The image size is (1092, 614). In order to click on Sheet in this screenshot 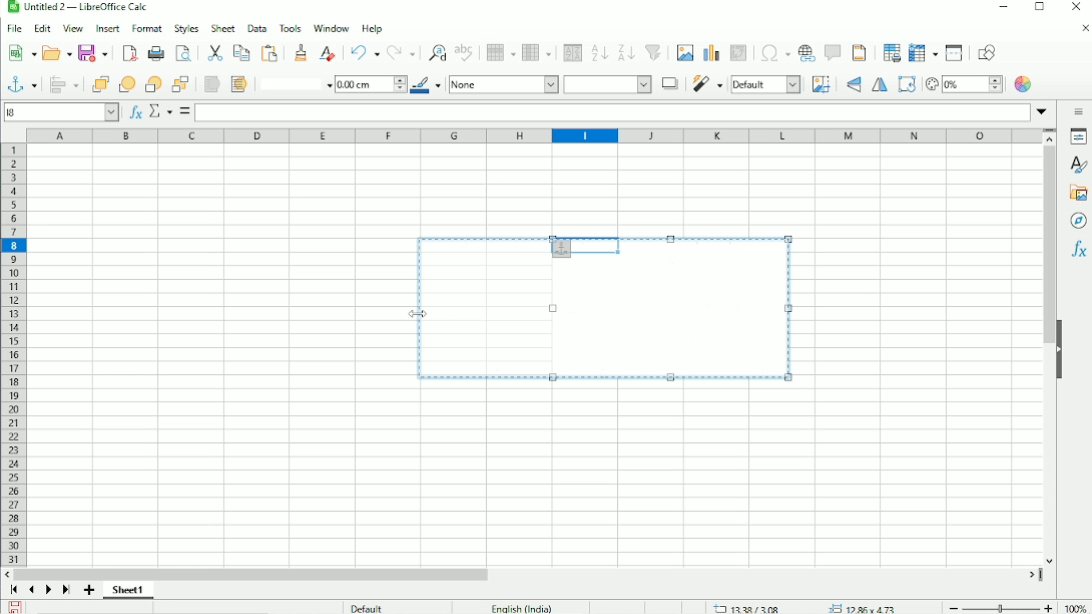, I will do `click(224, 28)`.